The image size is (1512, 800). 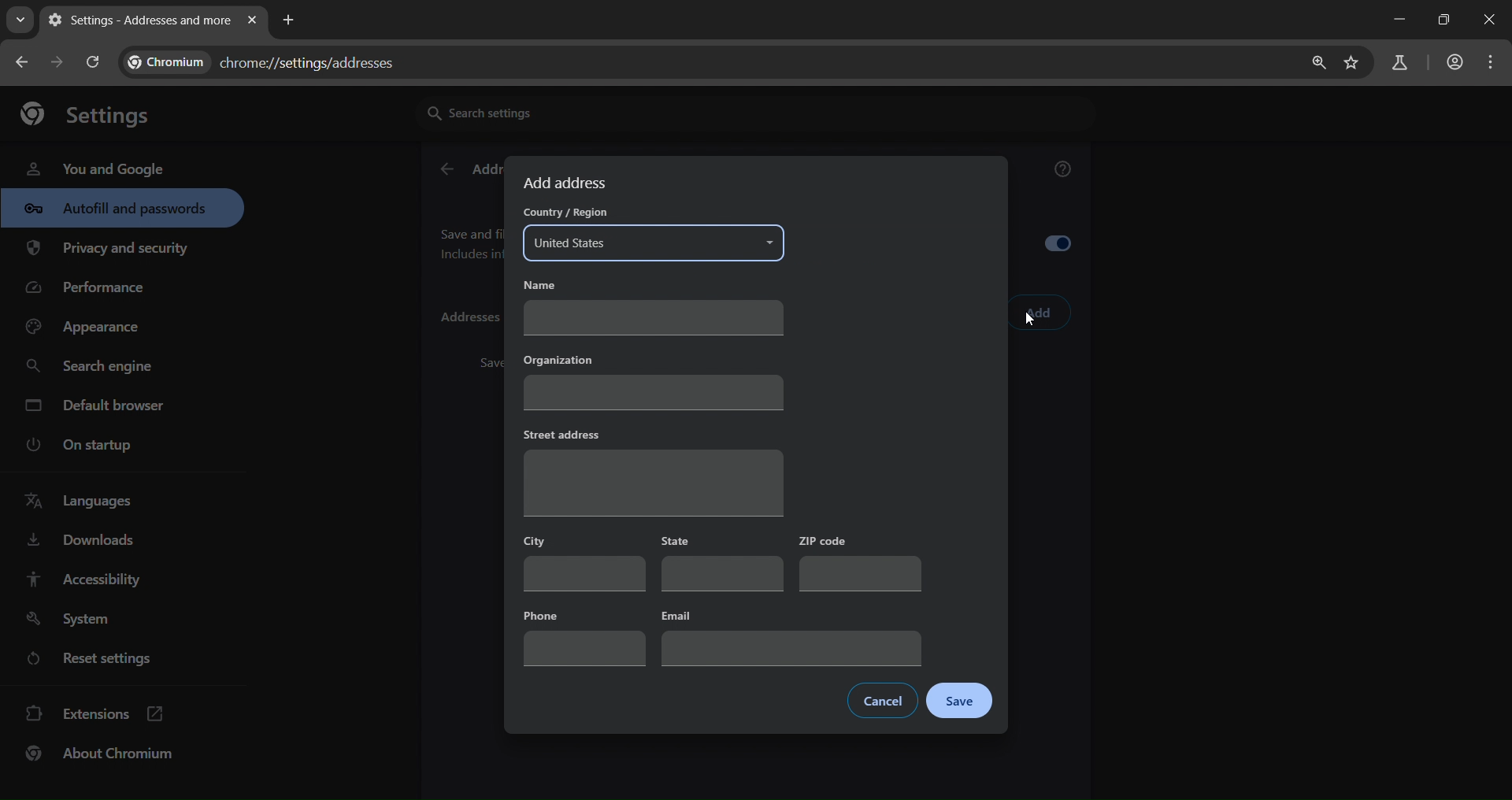 I want to click on chrome://settings/addresses, so click(x=272, y=59).